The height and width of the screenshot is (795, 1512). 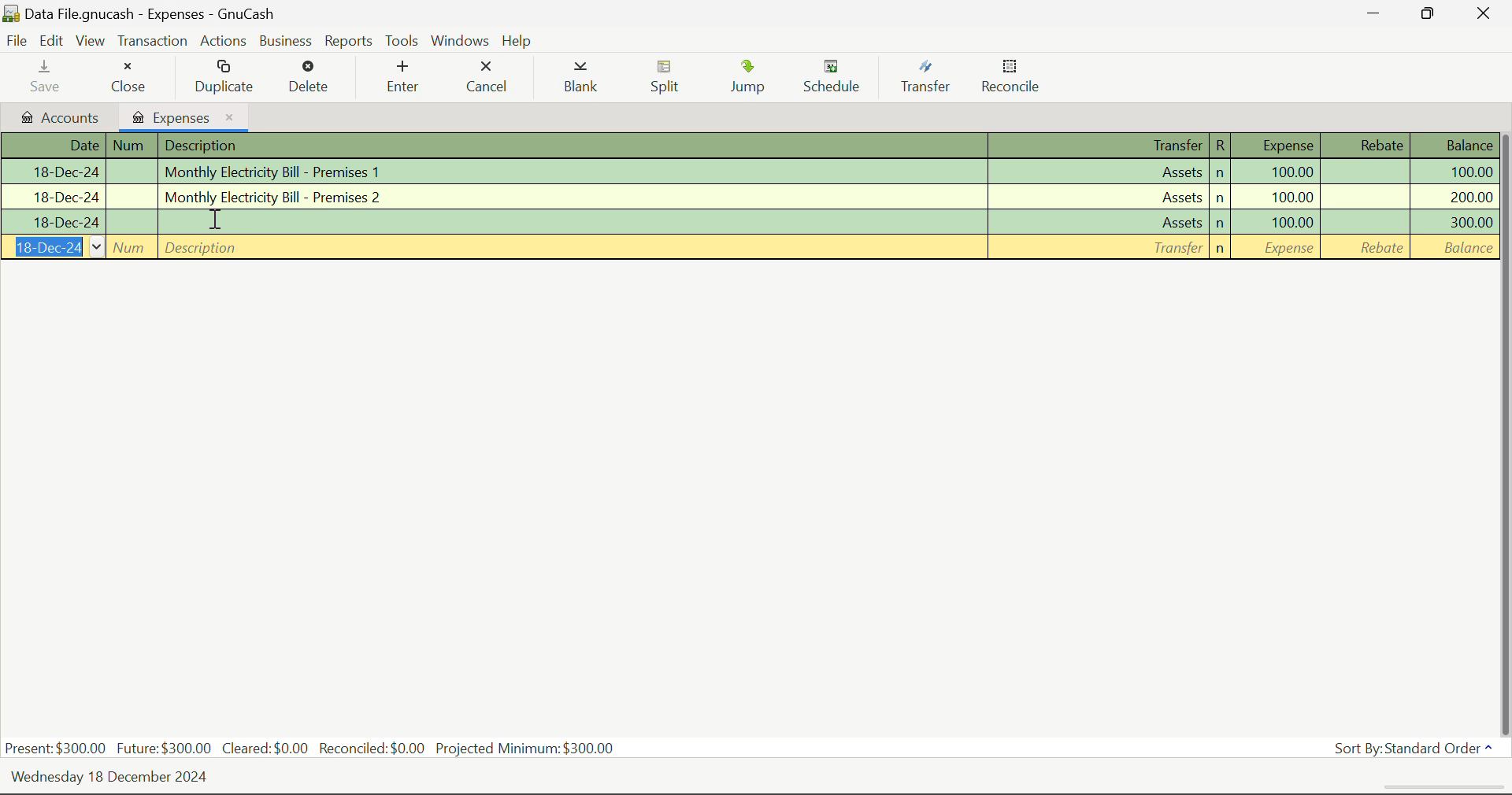 I want to click on Help, so click(x=519, y=39).